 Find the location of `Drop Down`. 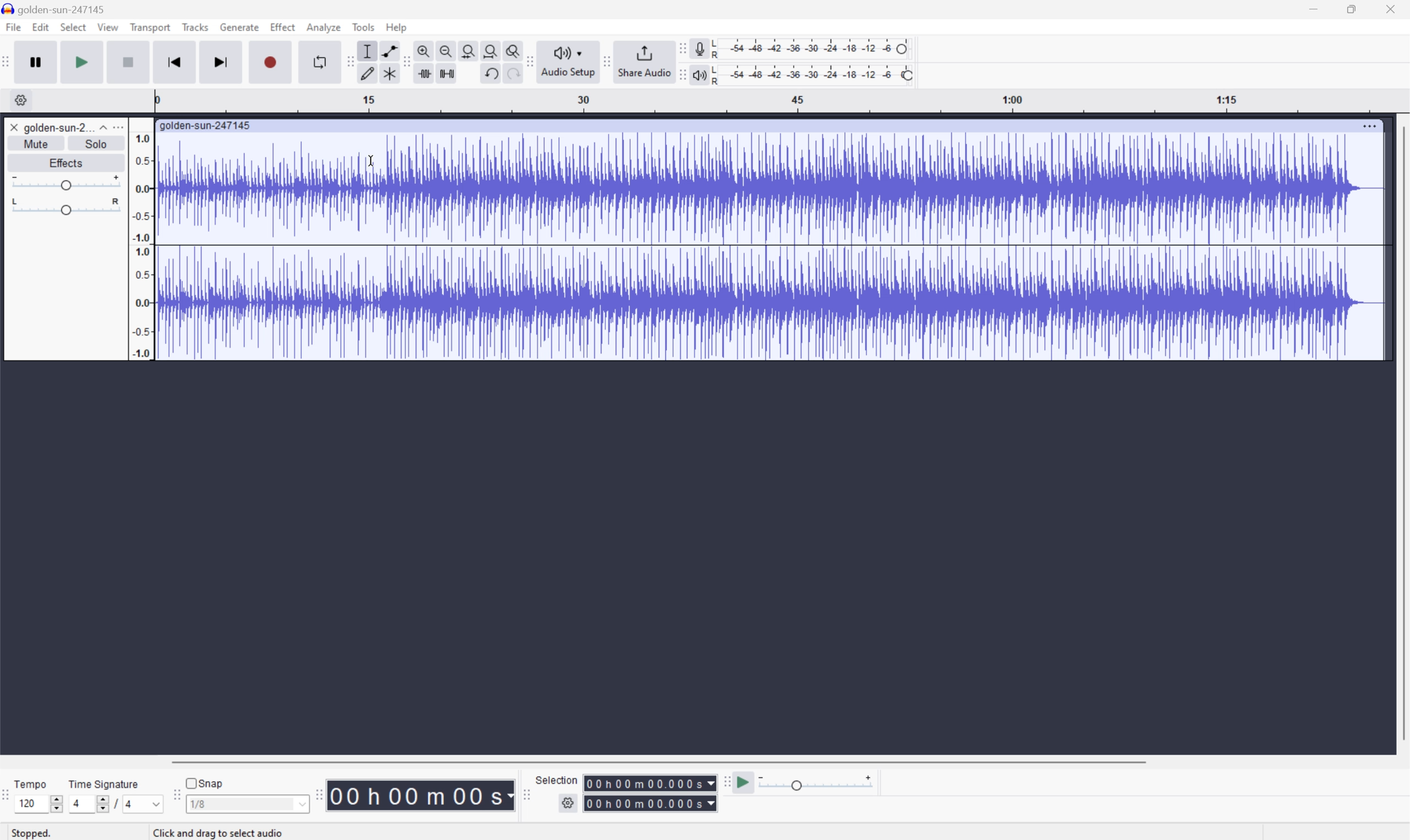

Drop Down is located at coordinates (152, 804).